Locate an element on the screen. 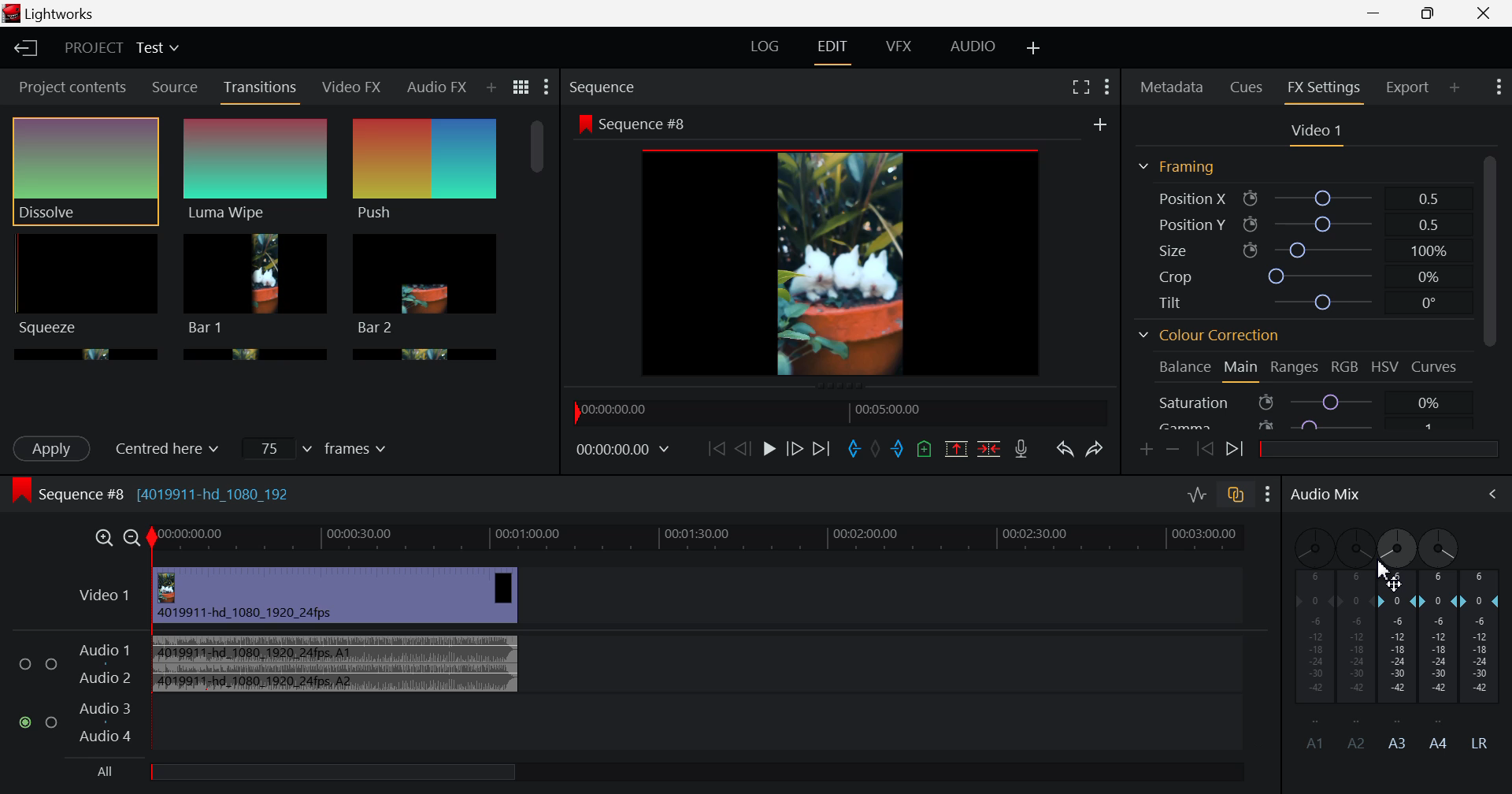 The image size is (1512, 794). Ranges is located at coordinates (1295, 368).